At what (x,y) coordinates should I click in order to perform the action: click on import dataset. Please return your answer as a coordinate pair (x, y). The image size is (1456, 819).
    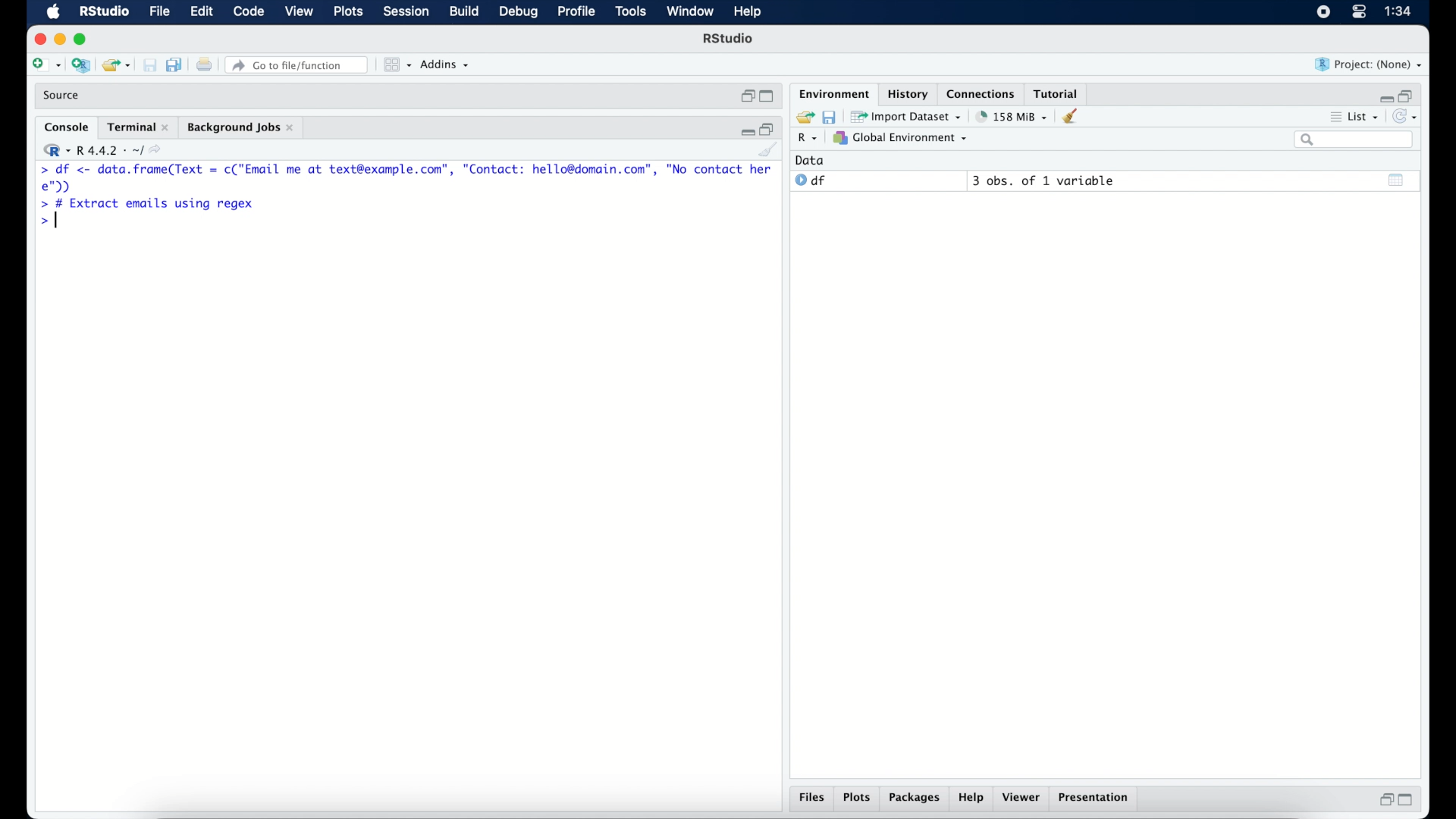
    Looking at the image, I should click on (908, 117).